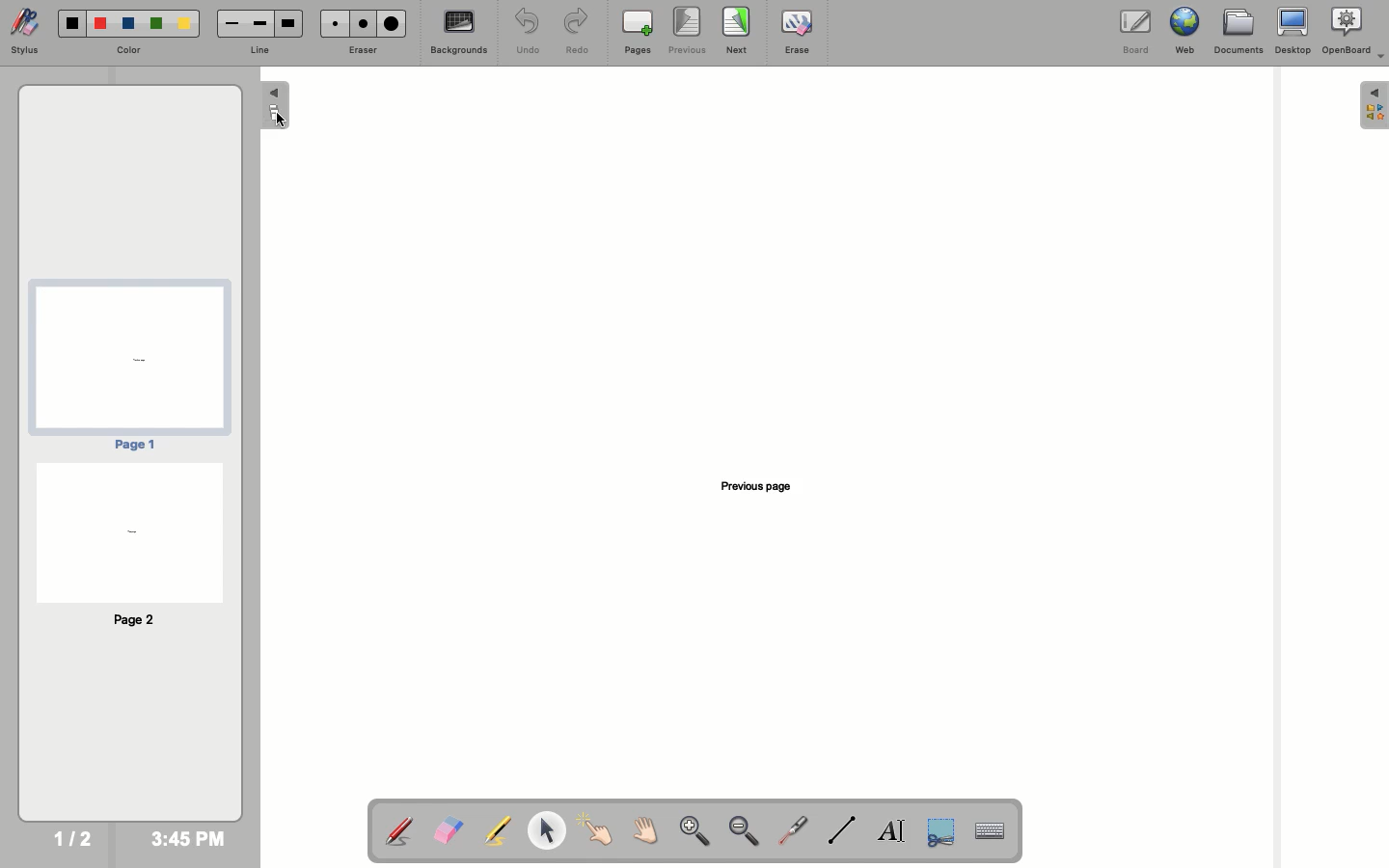  What do you see at coordinates (642, 829) in the screenshot?
I see `Move page` at bounding box center [642, 829].